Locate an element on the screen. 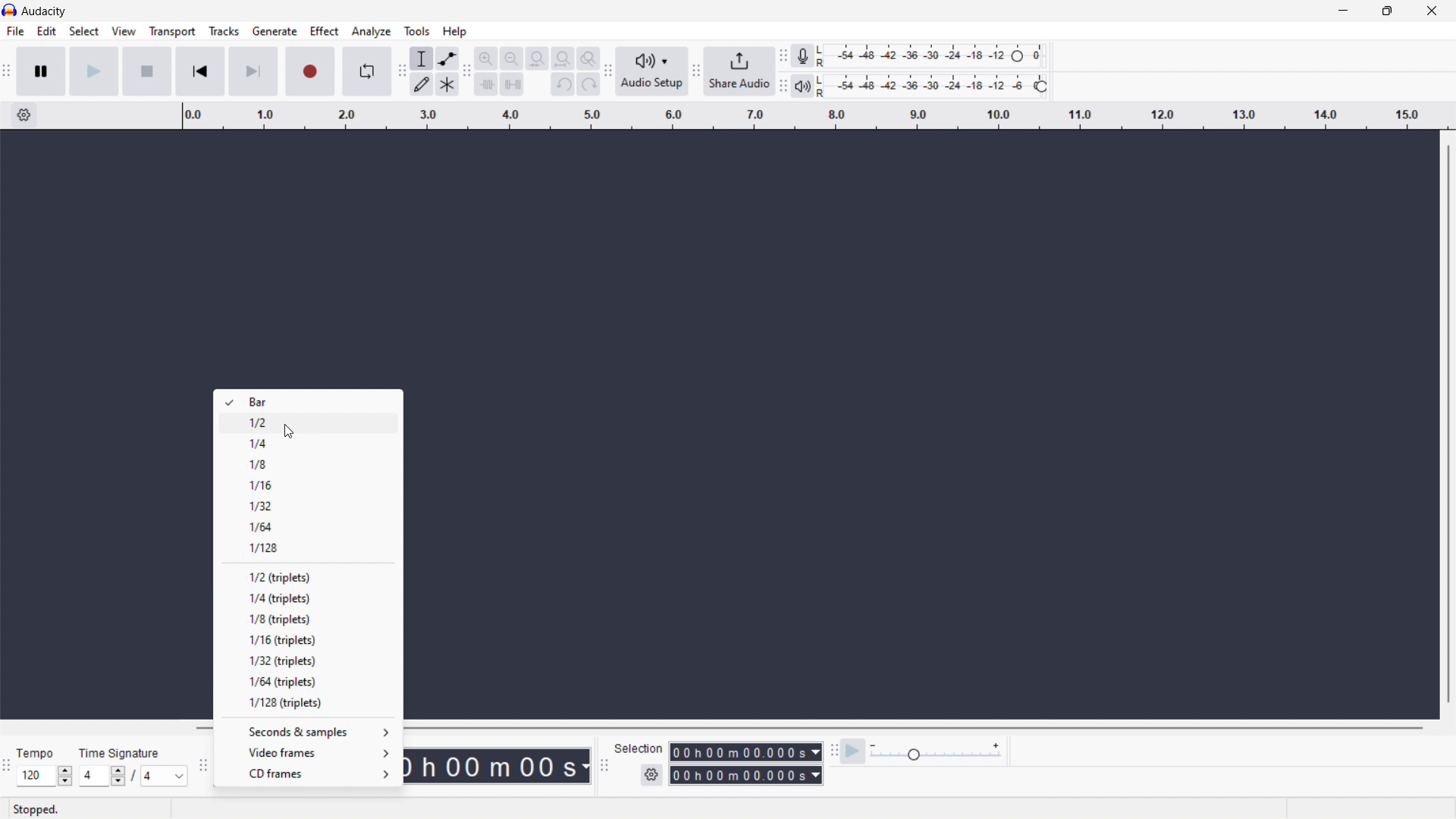 The width and height of the screenshot is (1456, 819). play at speed is located at coordinates (852, 752).